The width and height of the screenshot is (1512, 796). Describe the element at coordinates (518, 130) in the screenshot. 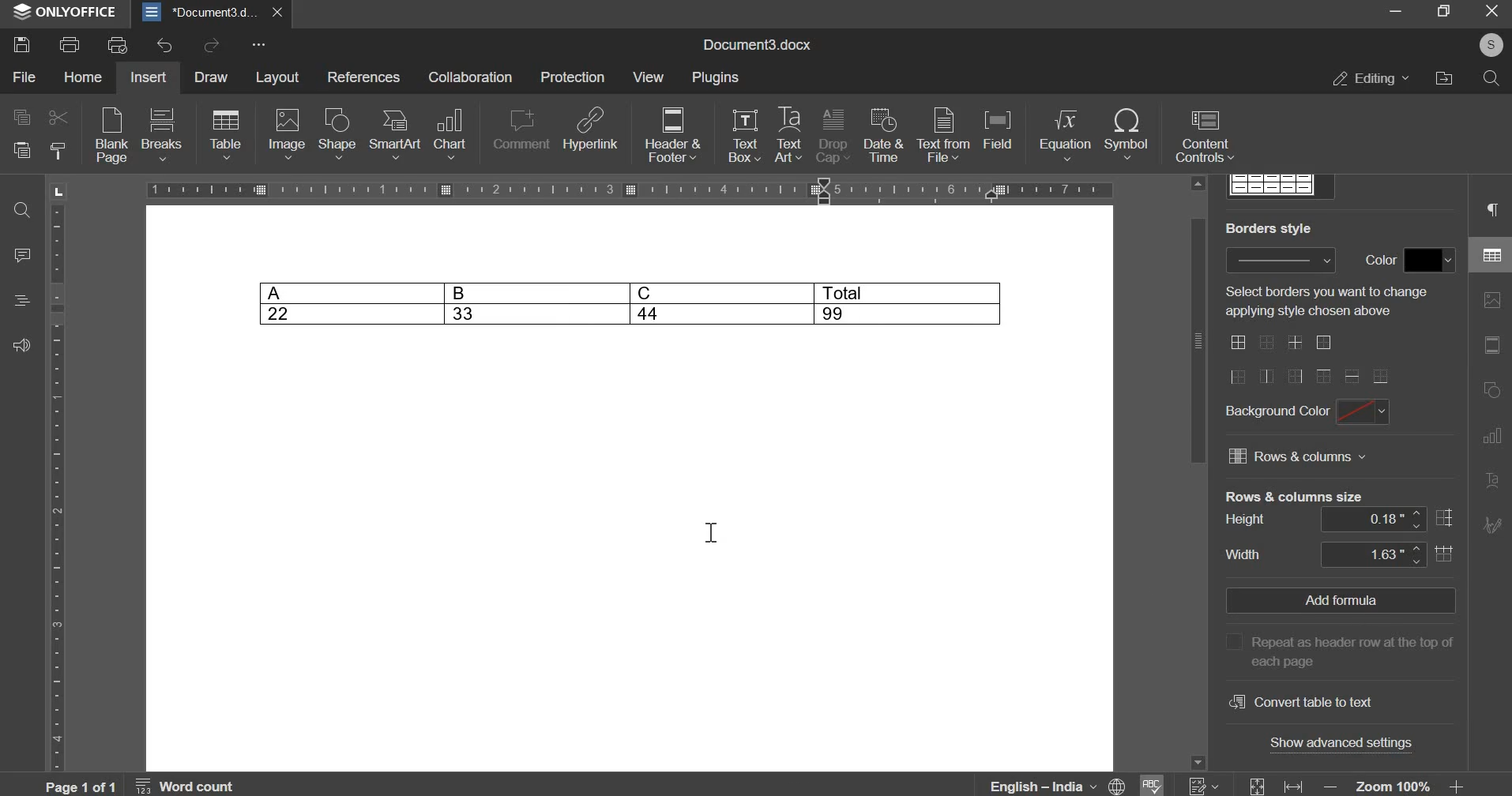

I see `comment` at that location.